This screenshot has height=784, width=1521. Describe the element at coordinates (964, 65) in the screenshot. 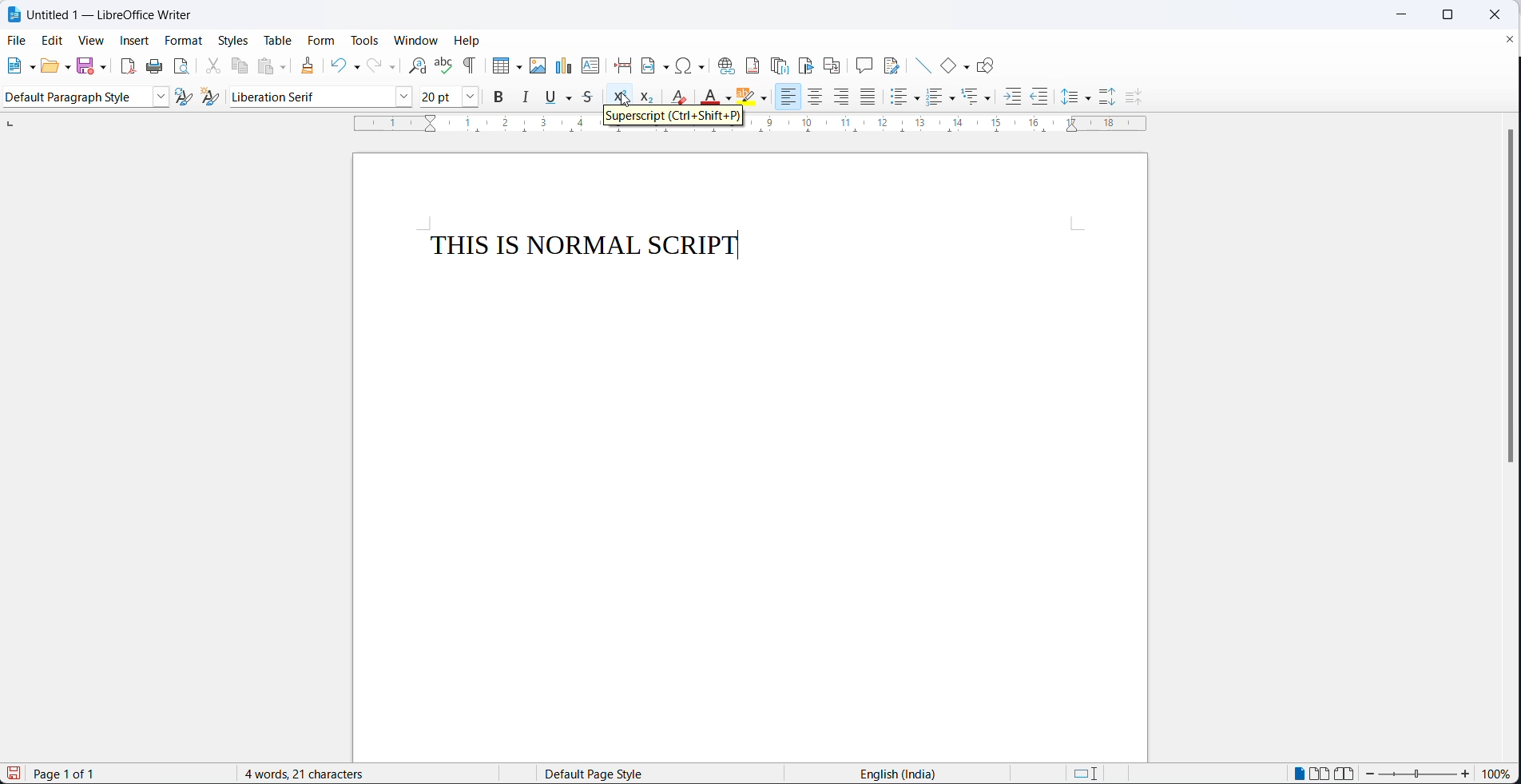

I see `basic shapes options` at that location.